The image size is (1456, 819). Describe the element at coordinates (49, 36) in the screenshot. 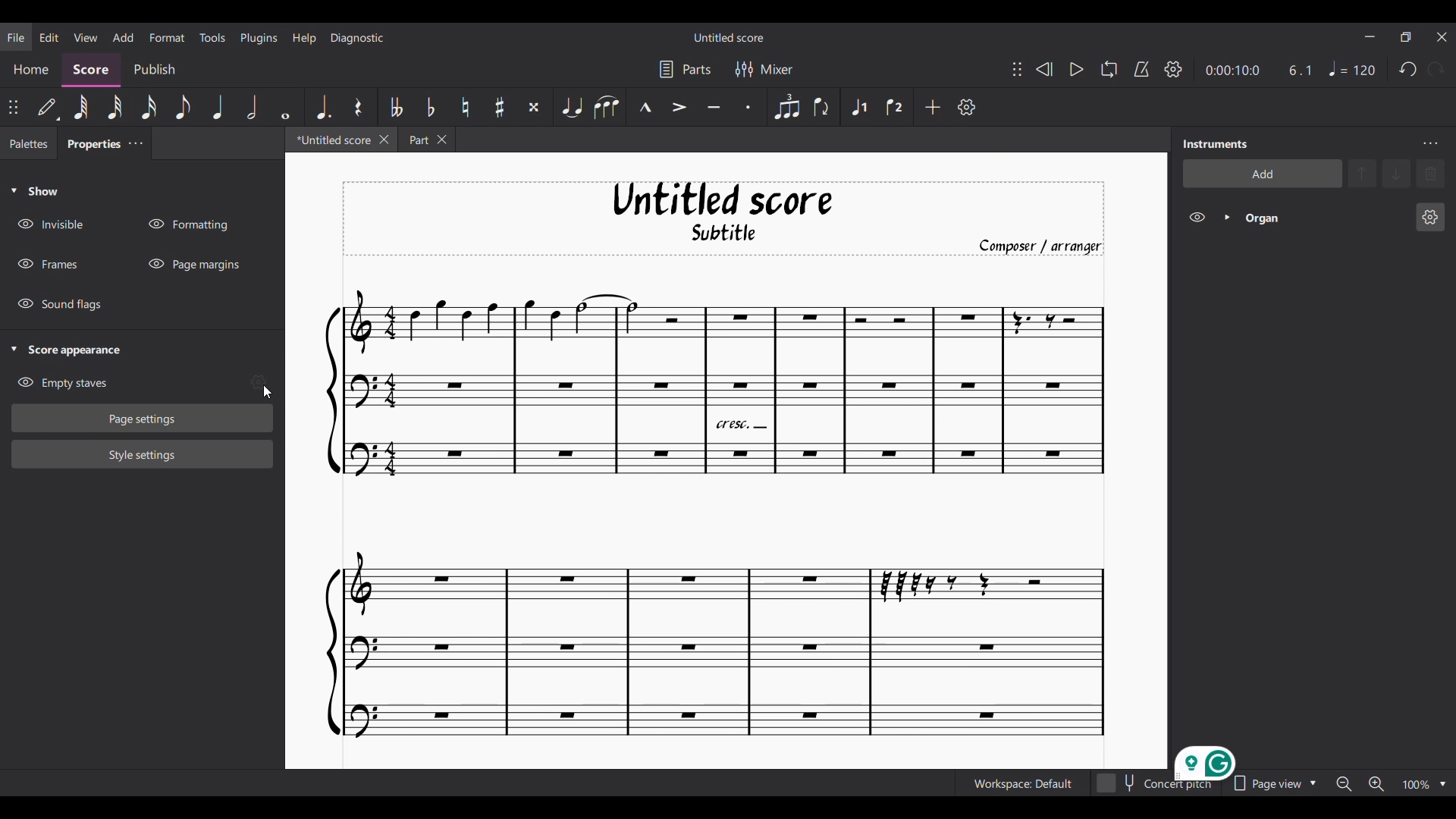

I see `Edit menu` at that location.